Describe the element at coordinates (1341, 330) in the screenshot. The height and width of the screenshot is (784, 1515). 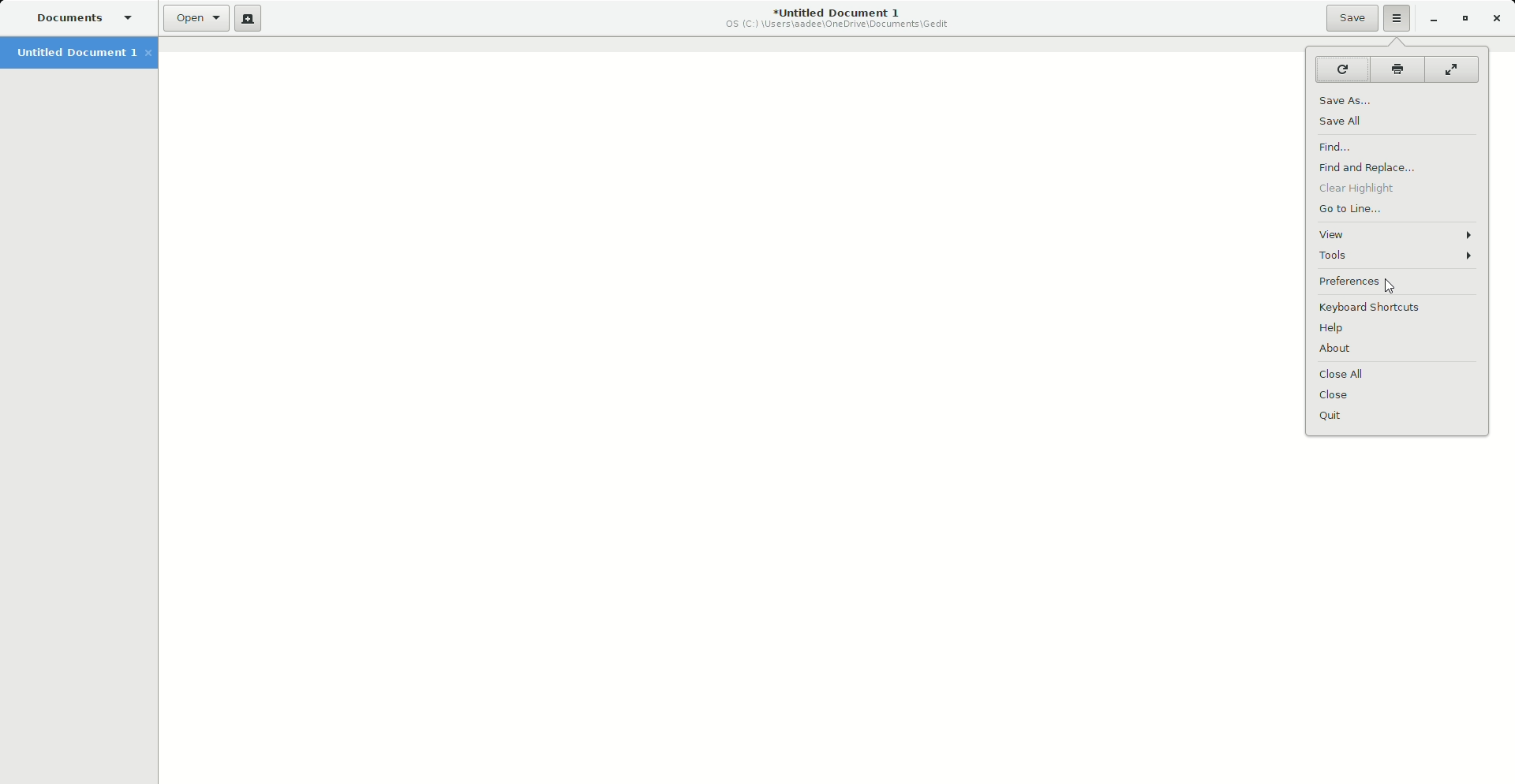
I see `Help` at that location.